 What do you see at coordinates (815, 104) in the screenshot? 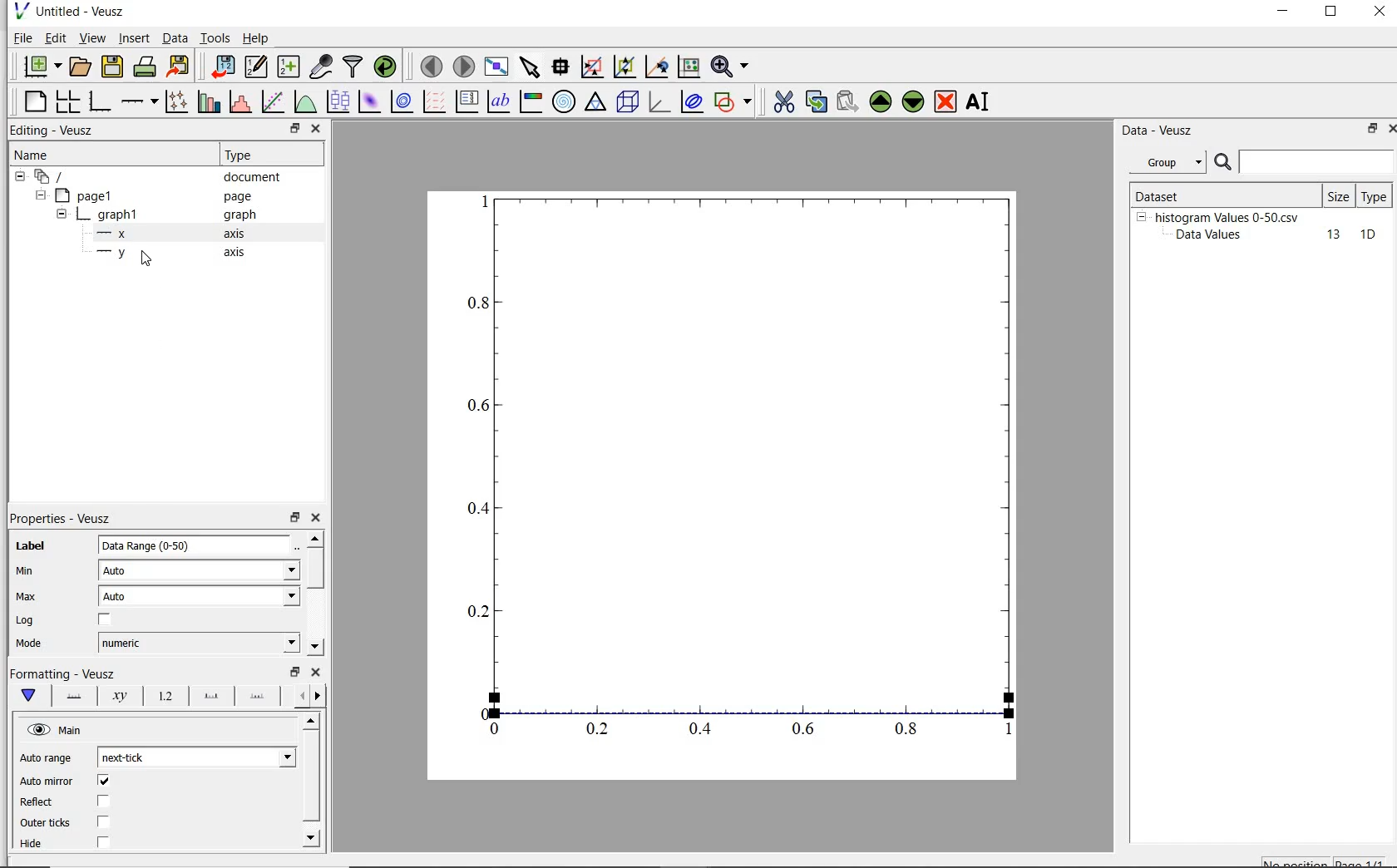
I see `copy the selected widget` at bounding box center [815, 104].